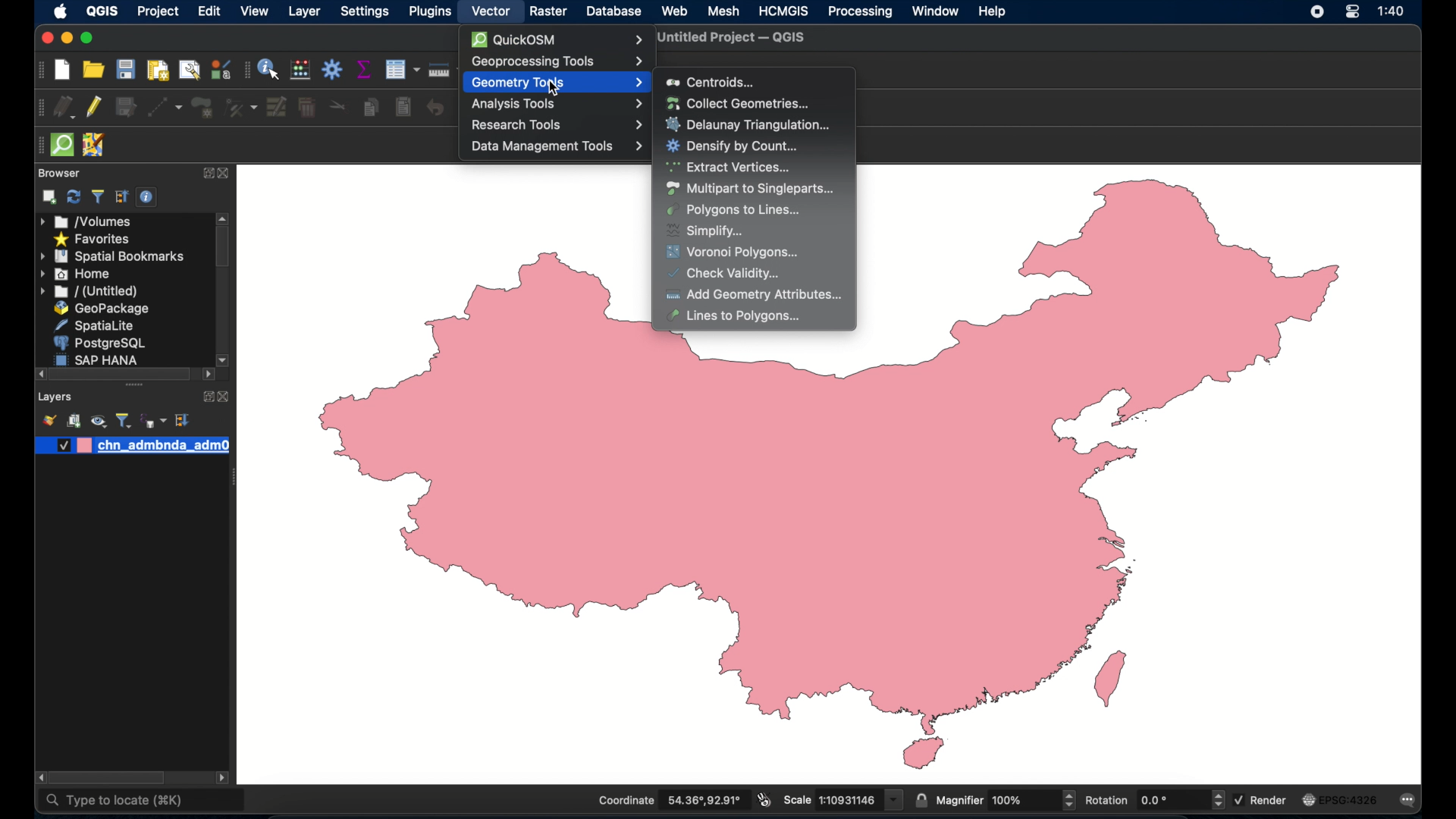 Image resolution: width=1456 pixels, height=819 pixels. Describe the element at coordinates (206, 11) in the screenshot. I see `edit` at that location.